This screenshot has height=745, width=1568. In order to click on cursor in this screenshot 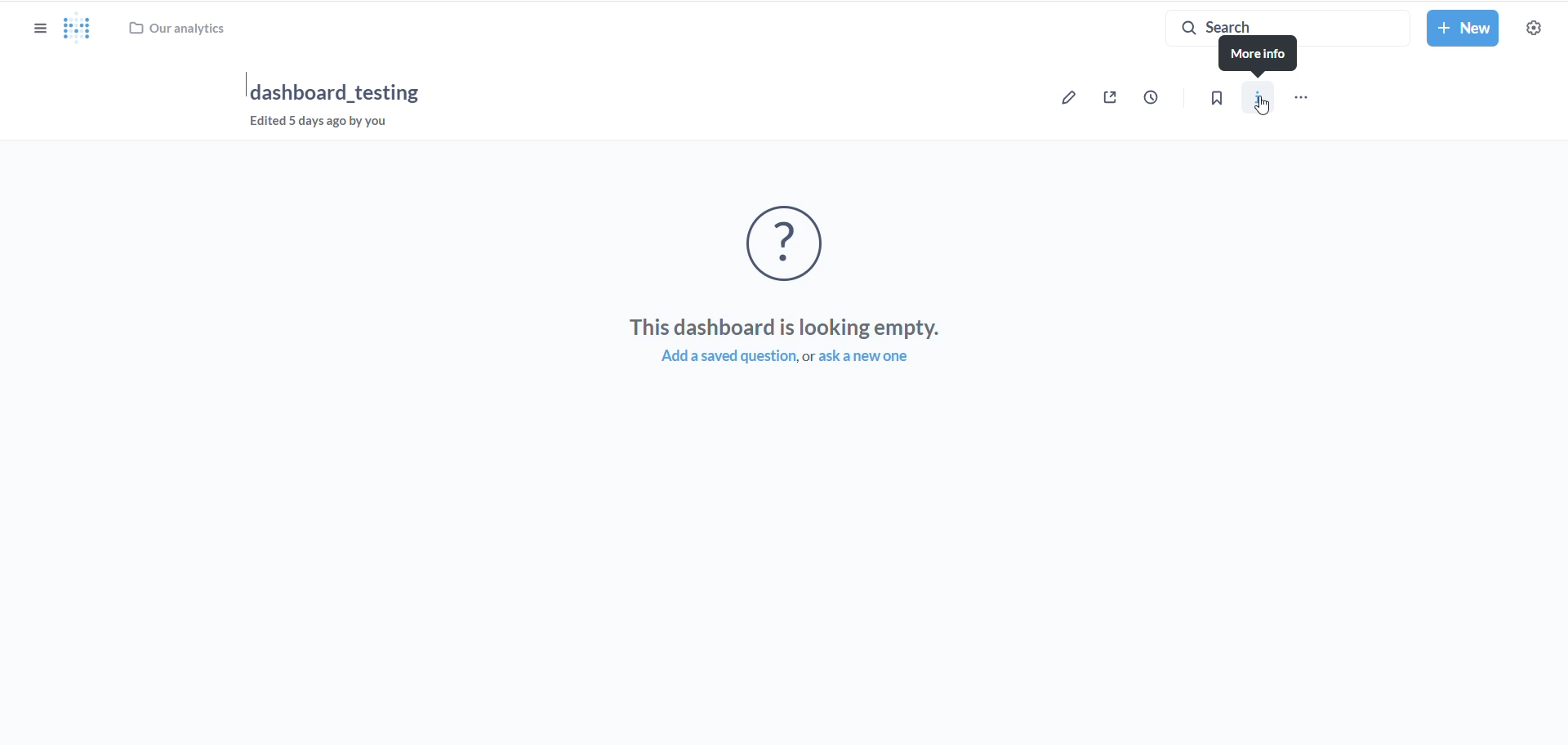, I will do `click(1266, 106)`.